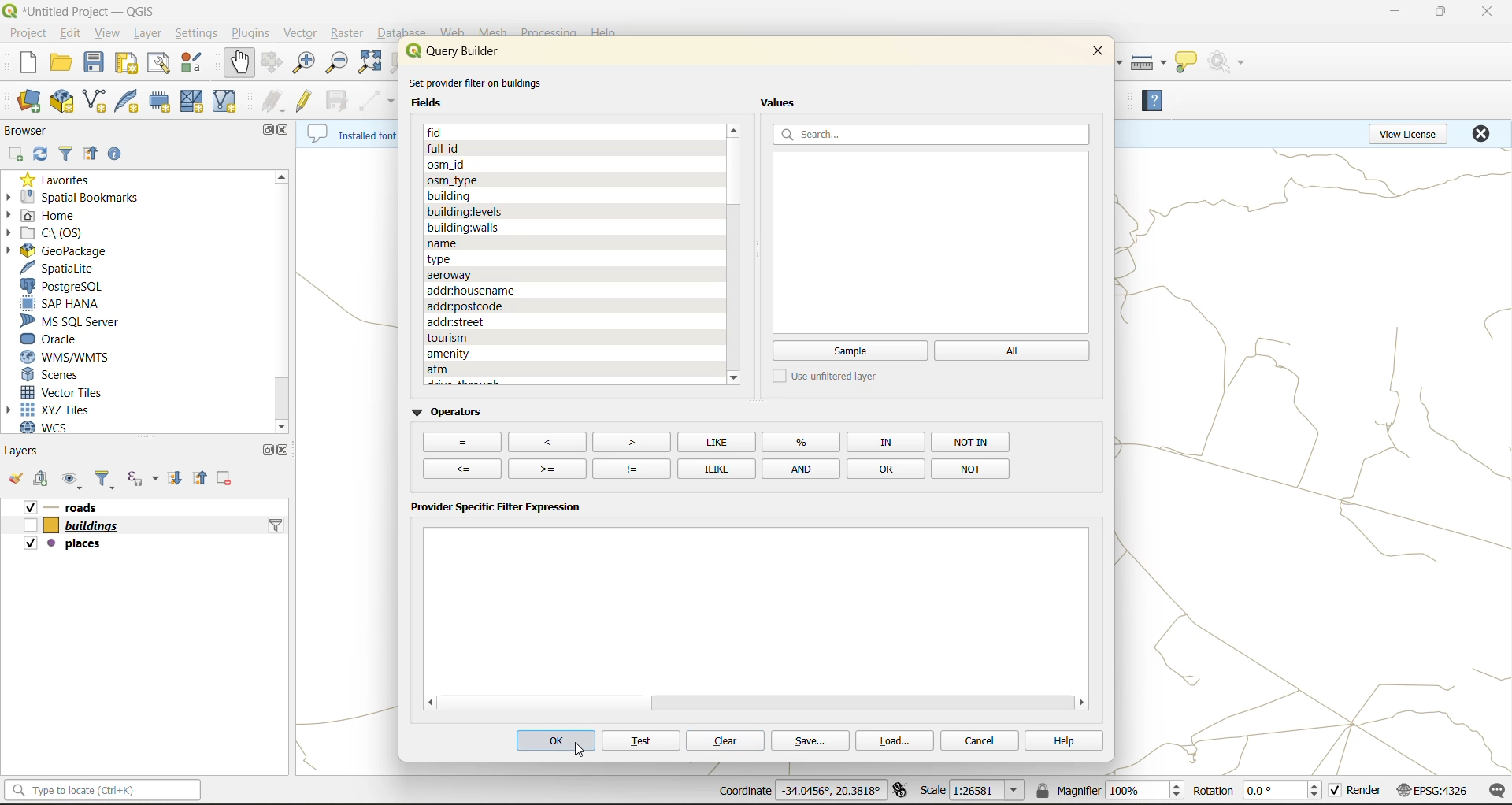 The height and width of the screenshot is (805, 1512). What do you see at coordinates (346, 32) in the screenshot?
I see `raster` at bounding box center [346, 32].